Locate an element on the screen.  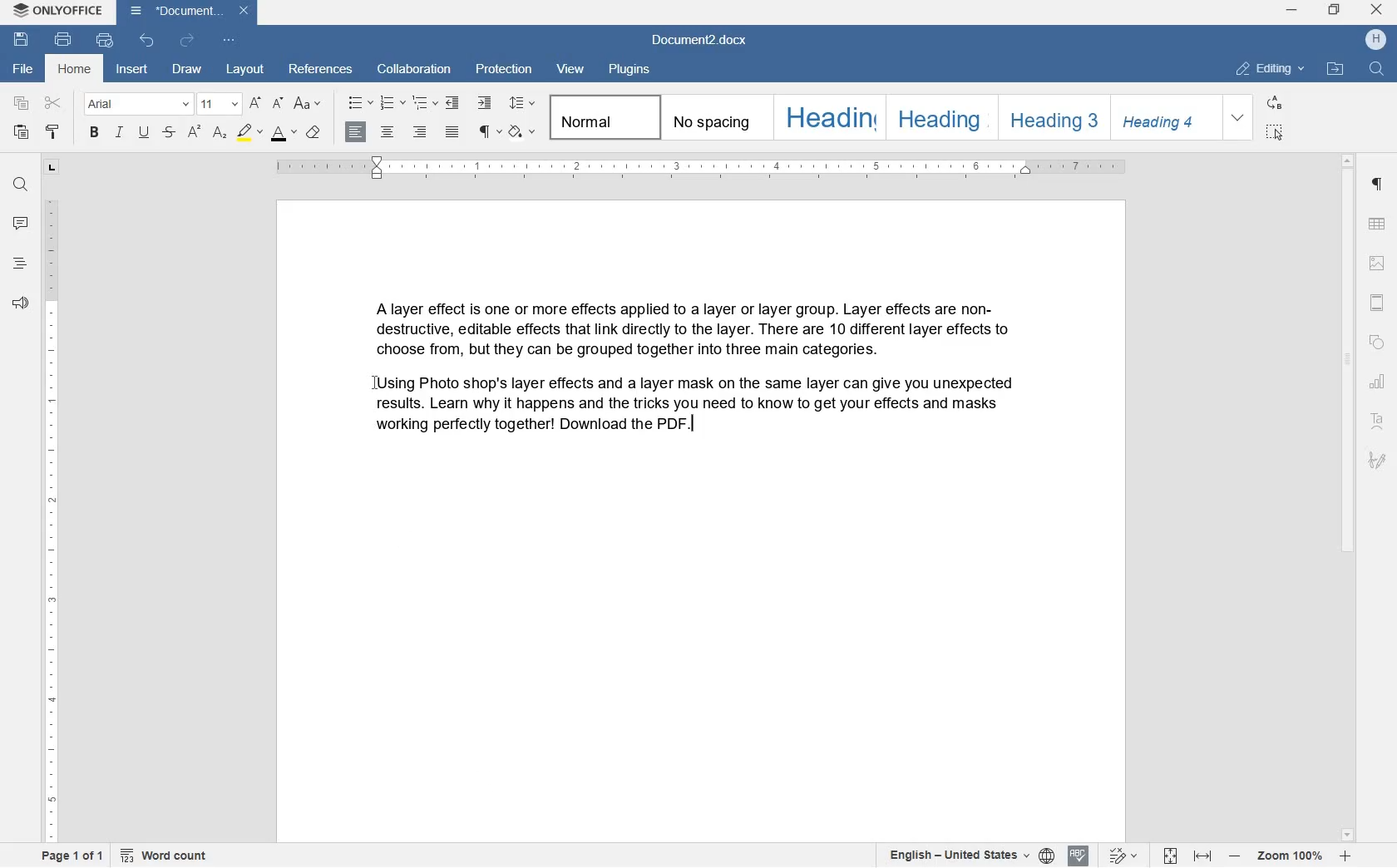
PARAGRAPH SETTINGS is located at coordinates (489, 133).